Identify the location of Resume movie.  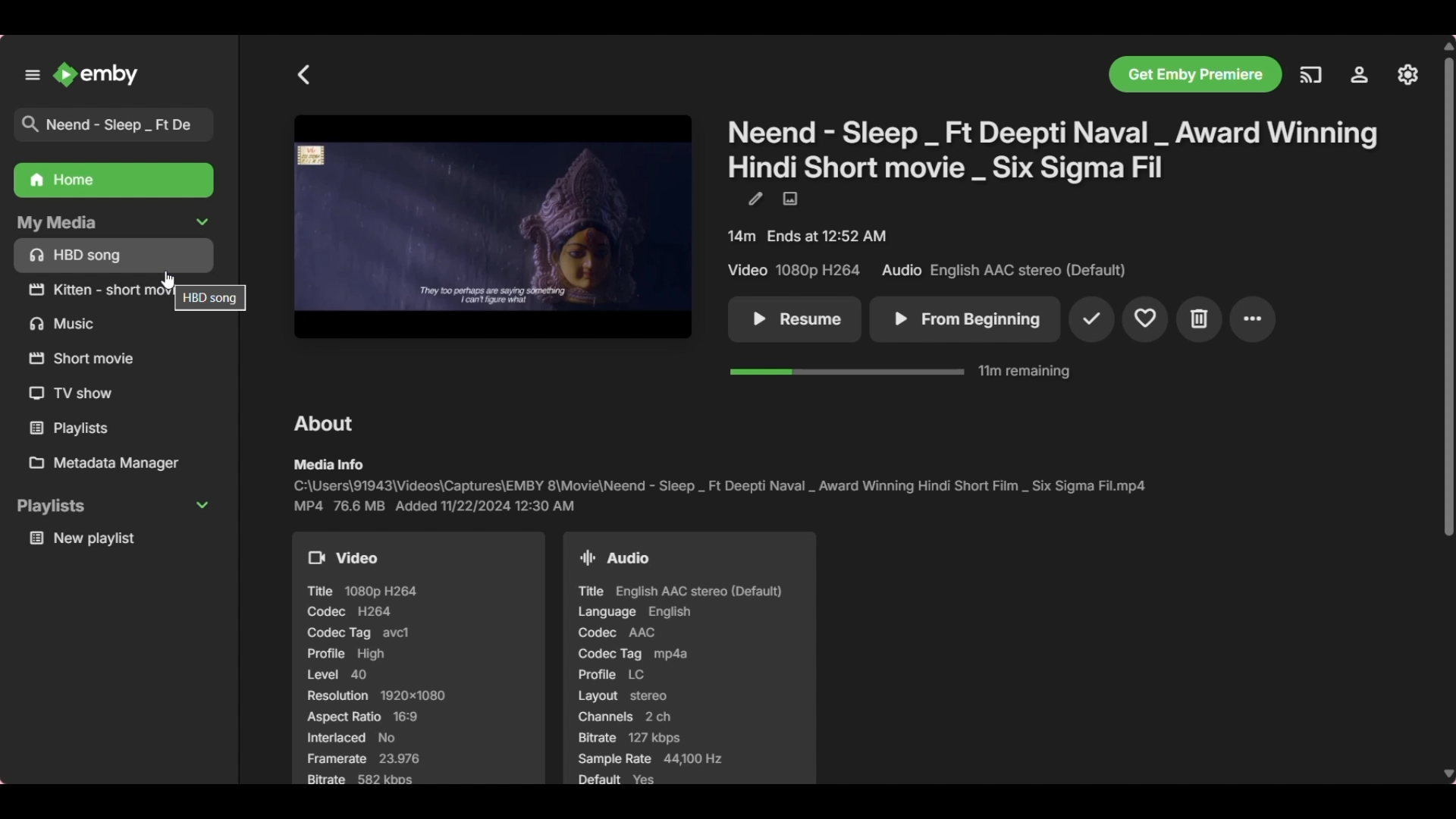
(794, 320).